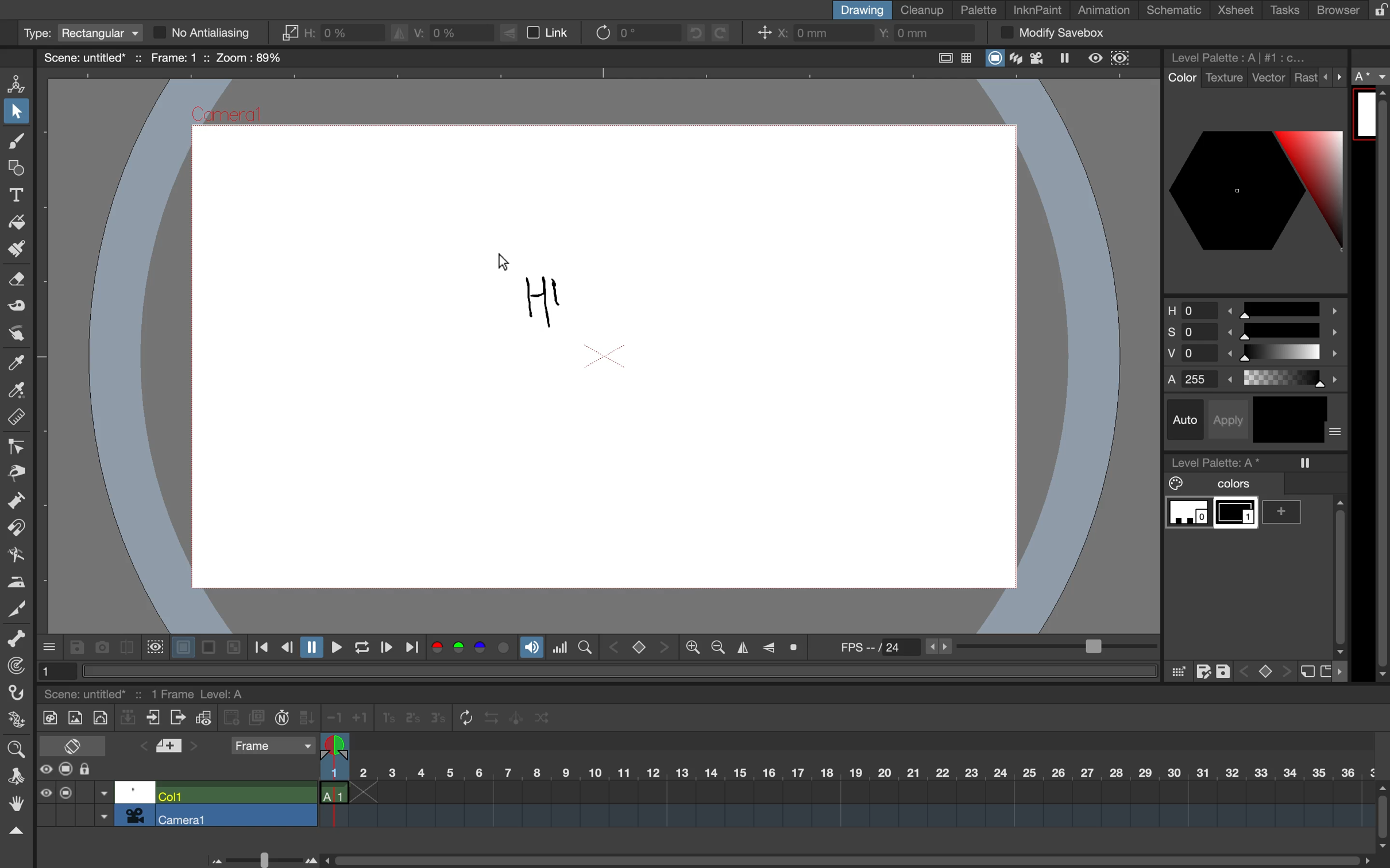  I want to click on soundtrack, so click(531, 650).